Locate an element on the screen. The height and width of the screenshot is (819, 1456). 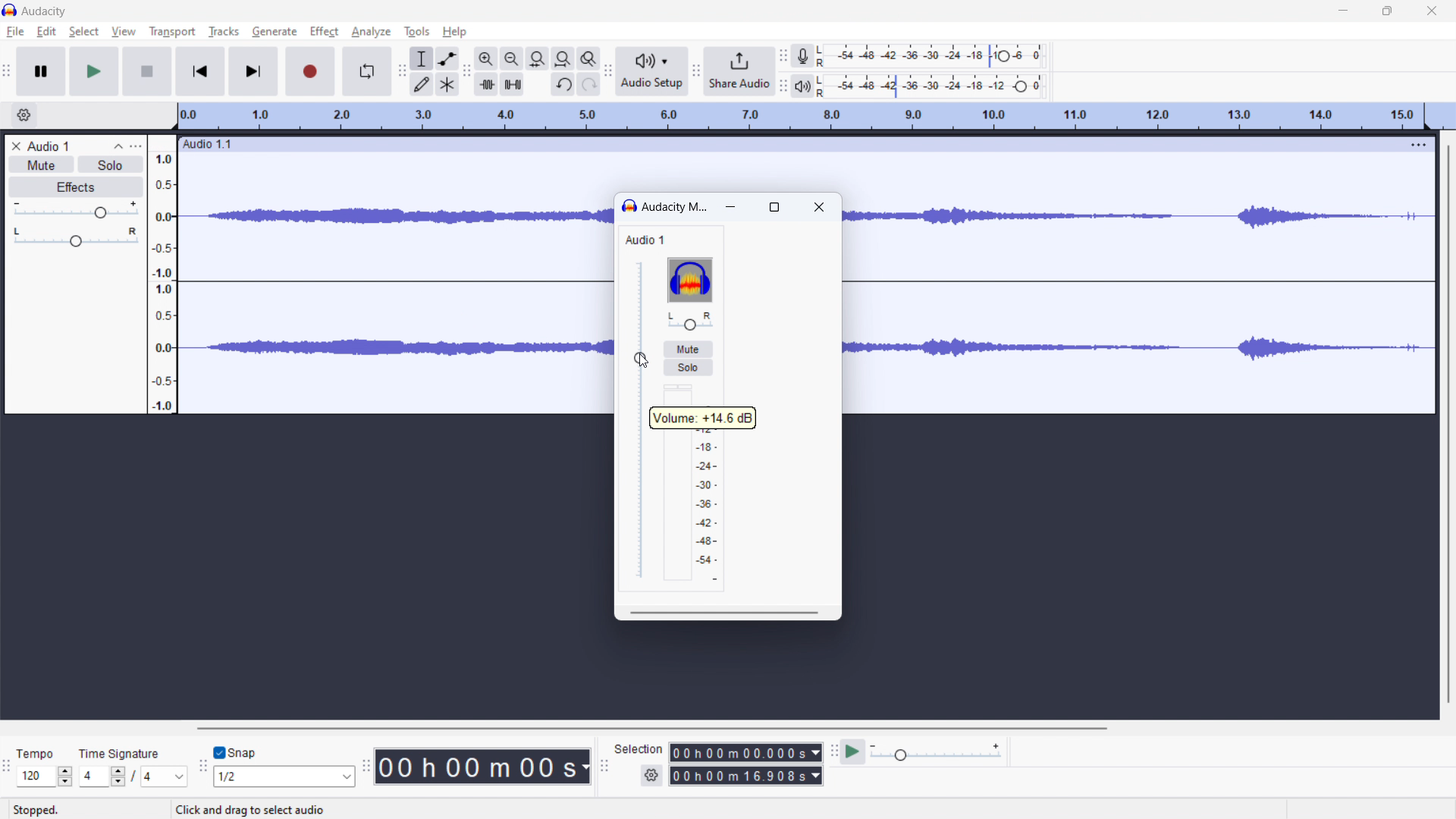
time stamp is located at coordinates (483, 767).